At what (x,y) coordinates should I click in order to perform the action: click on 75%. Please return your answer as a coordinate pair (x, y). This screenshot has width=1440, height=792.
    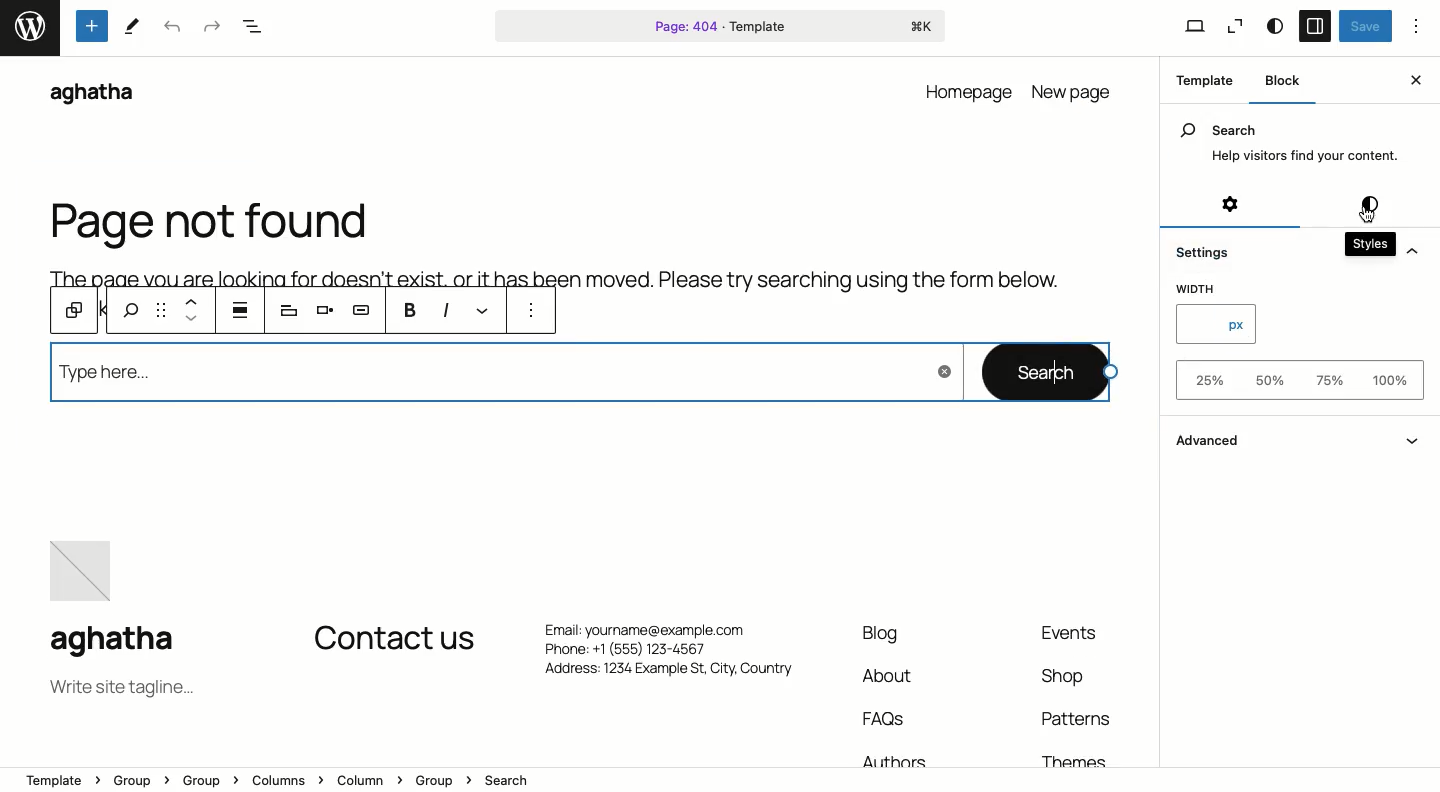
    Looking at the image, I should click on (1324, 381).